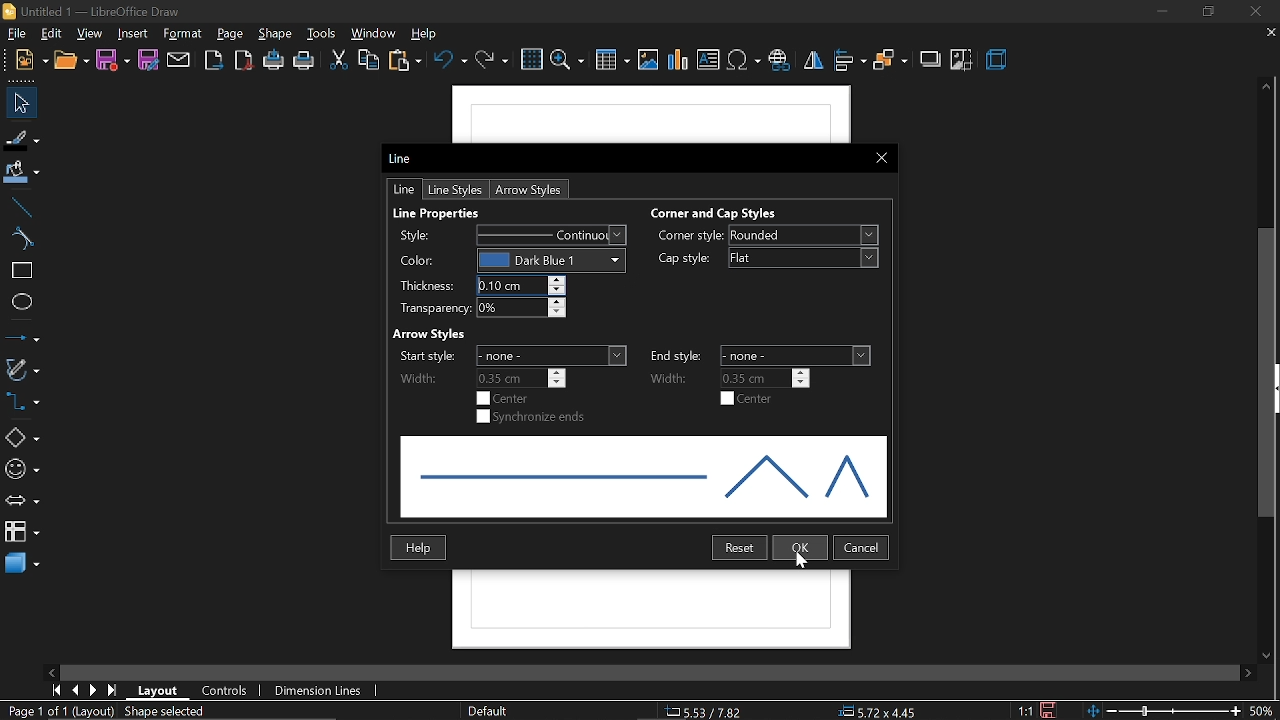 Image resolution: width=1280 pixels, height=720 pixels. Describe the element at coordinates (677, 61) in the screenshot. I see `insert chart` at that location.